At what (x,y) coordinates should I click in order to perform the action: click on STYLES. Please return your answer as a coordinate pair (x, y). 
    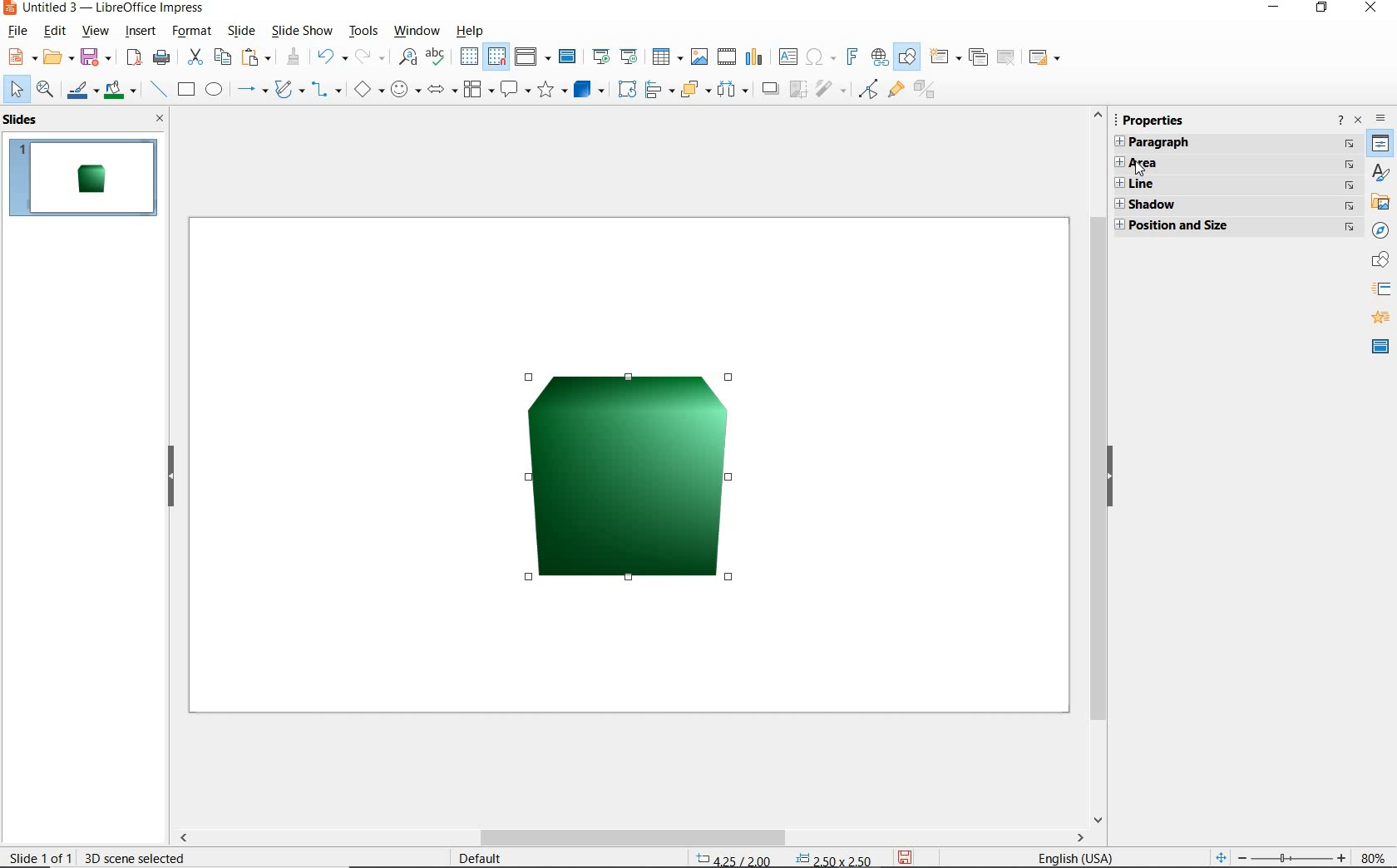
    Looking at the image, I should click on (1380, 175).